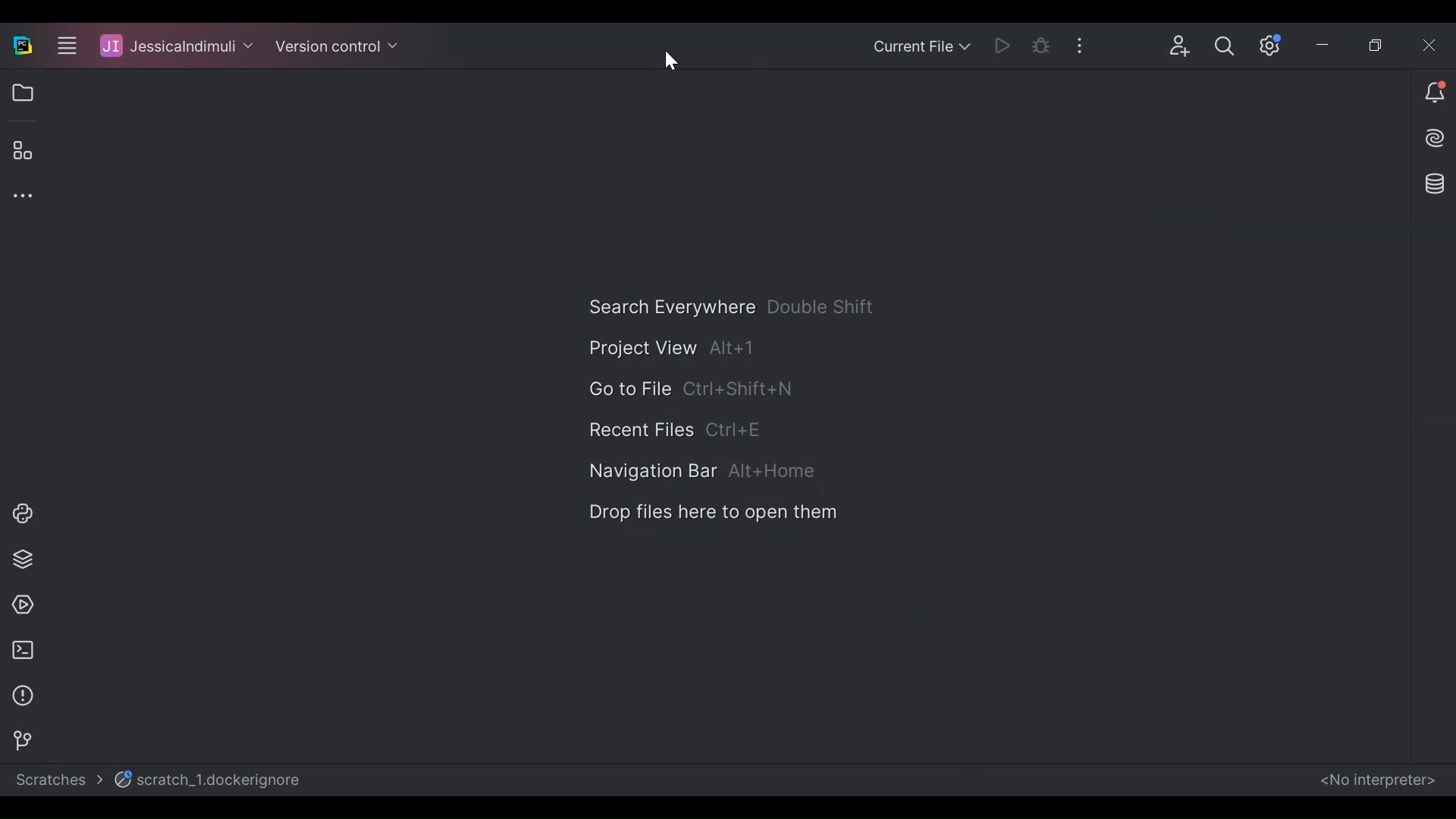 This screenshot has height=819, width=1456. What do you see at coordinates (1185, 47) in the screenshot?
I see `Code with me` at bounding box center [1185, 47].